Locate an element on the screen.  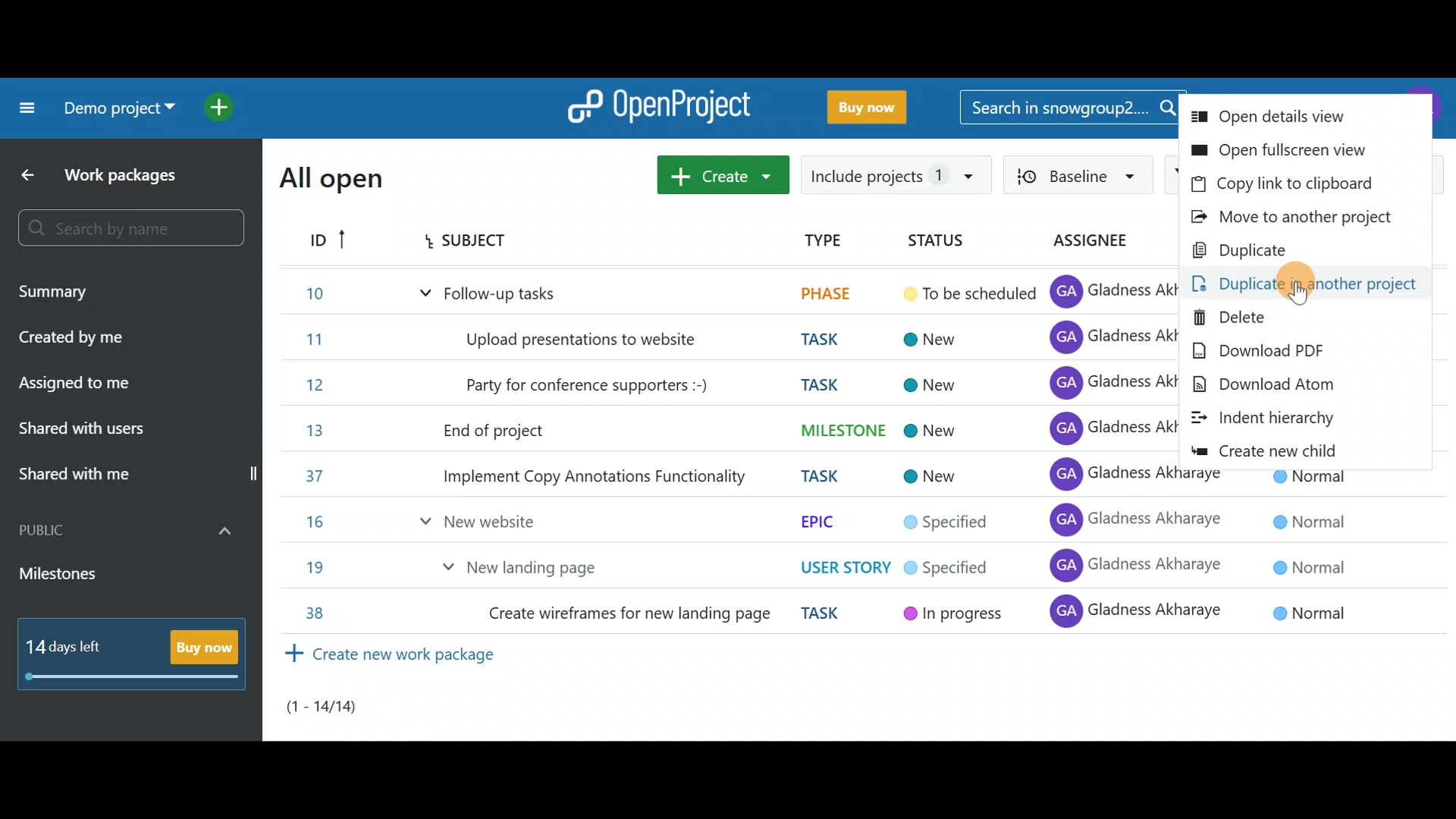
Download PDF is located at coordinates (1302, 352).